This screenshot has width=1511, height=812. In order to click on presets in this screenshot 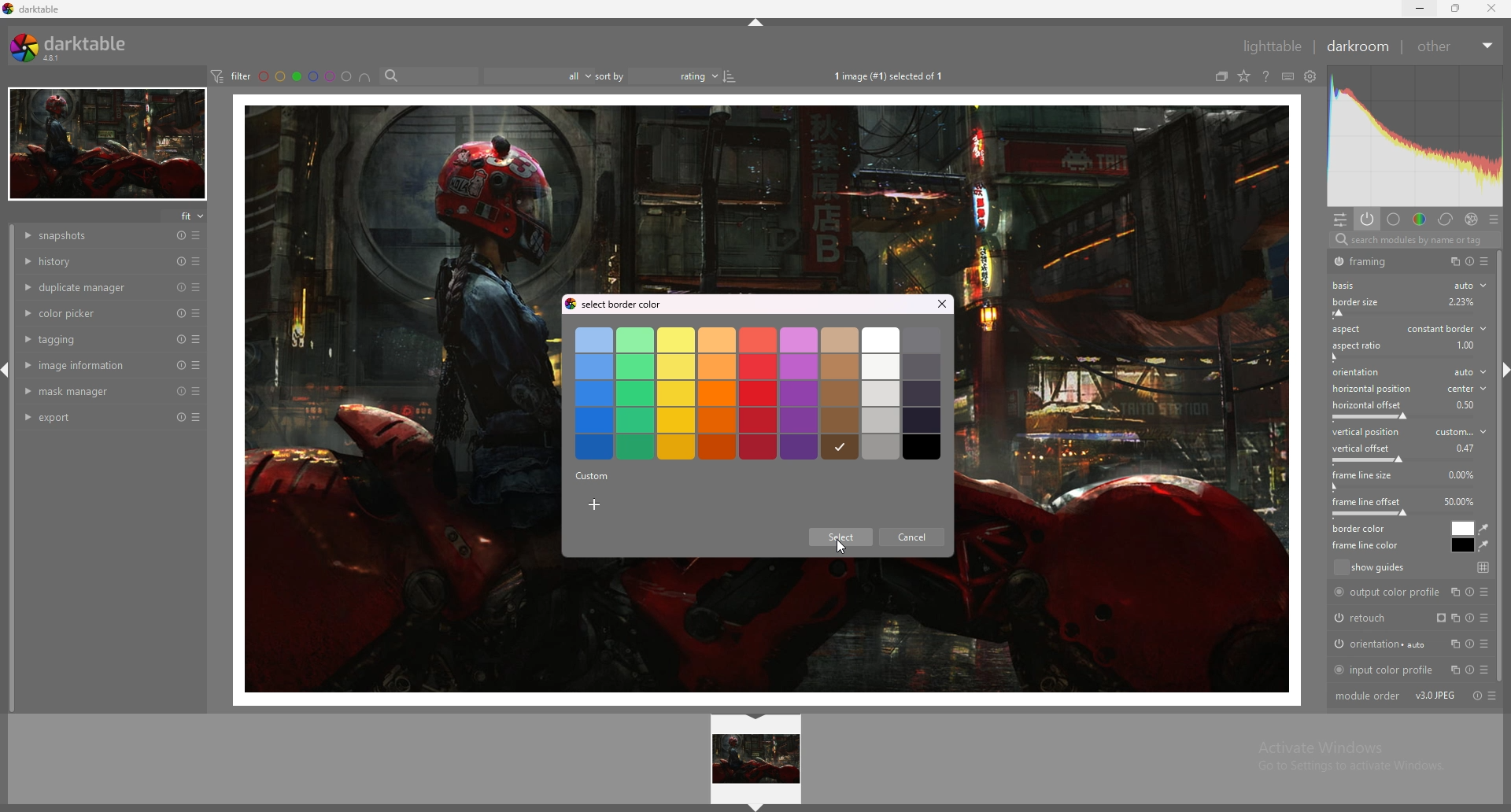, I will do `click(197, 287)`.